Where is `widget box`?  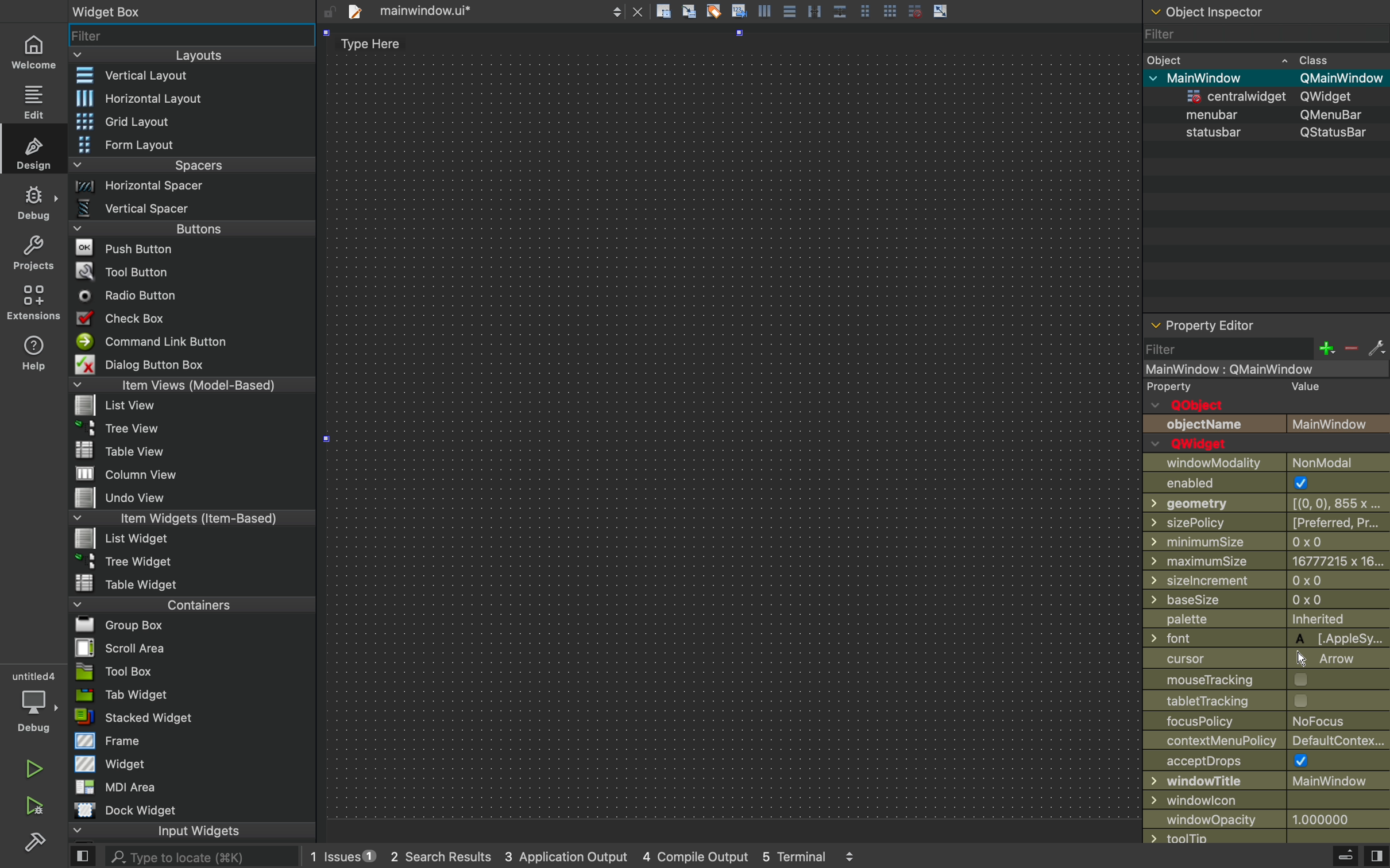
widget box is located at coordinates (129, 9).